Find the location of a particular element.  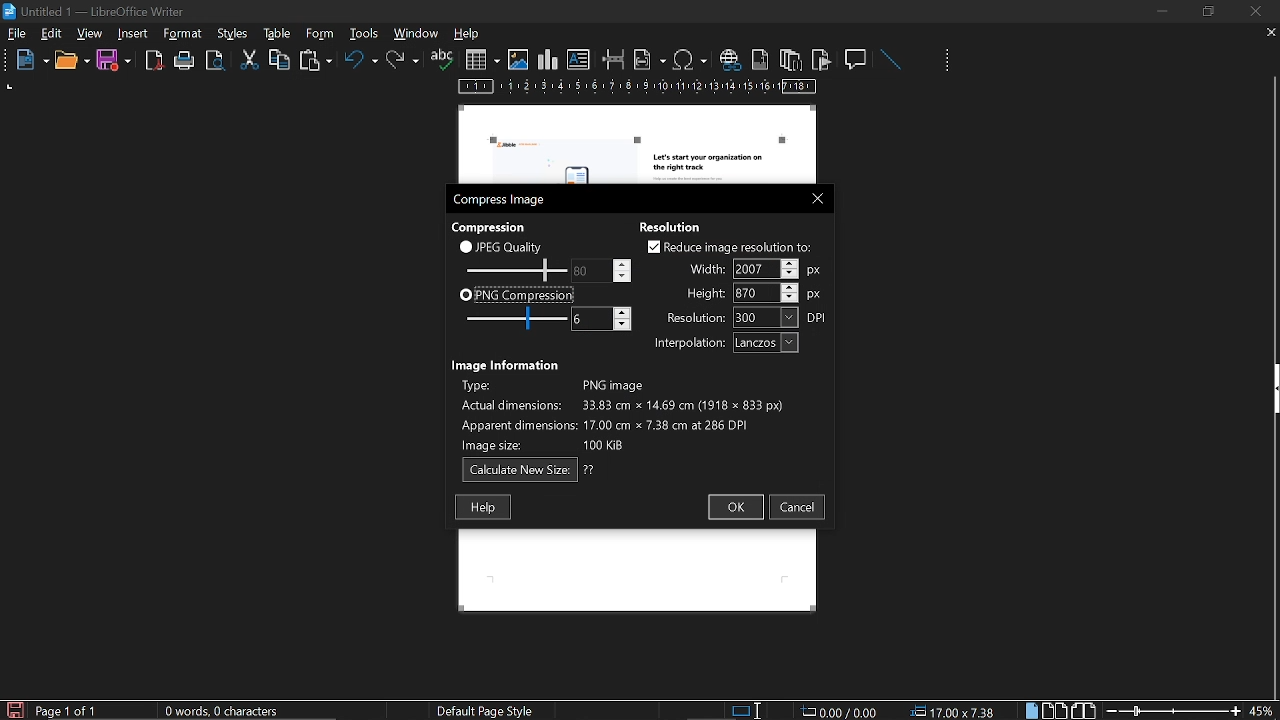

reduce image resolution is located at coordinates (729, 247).